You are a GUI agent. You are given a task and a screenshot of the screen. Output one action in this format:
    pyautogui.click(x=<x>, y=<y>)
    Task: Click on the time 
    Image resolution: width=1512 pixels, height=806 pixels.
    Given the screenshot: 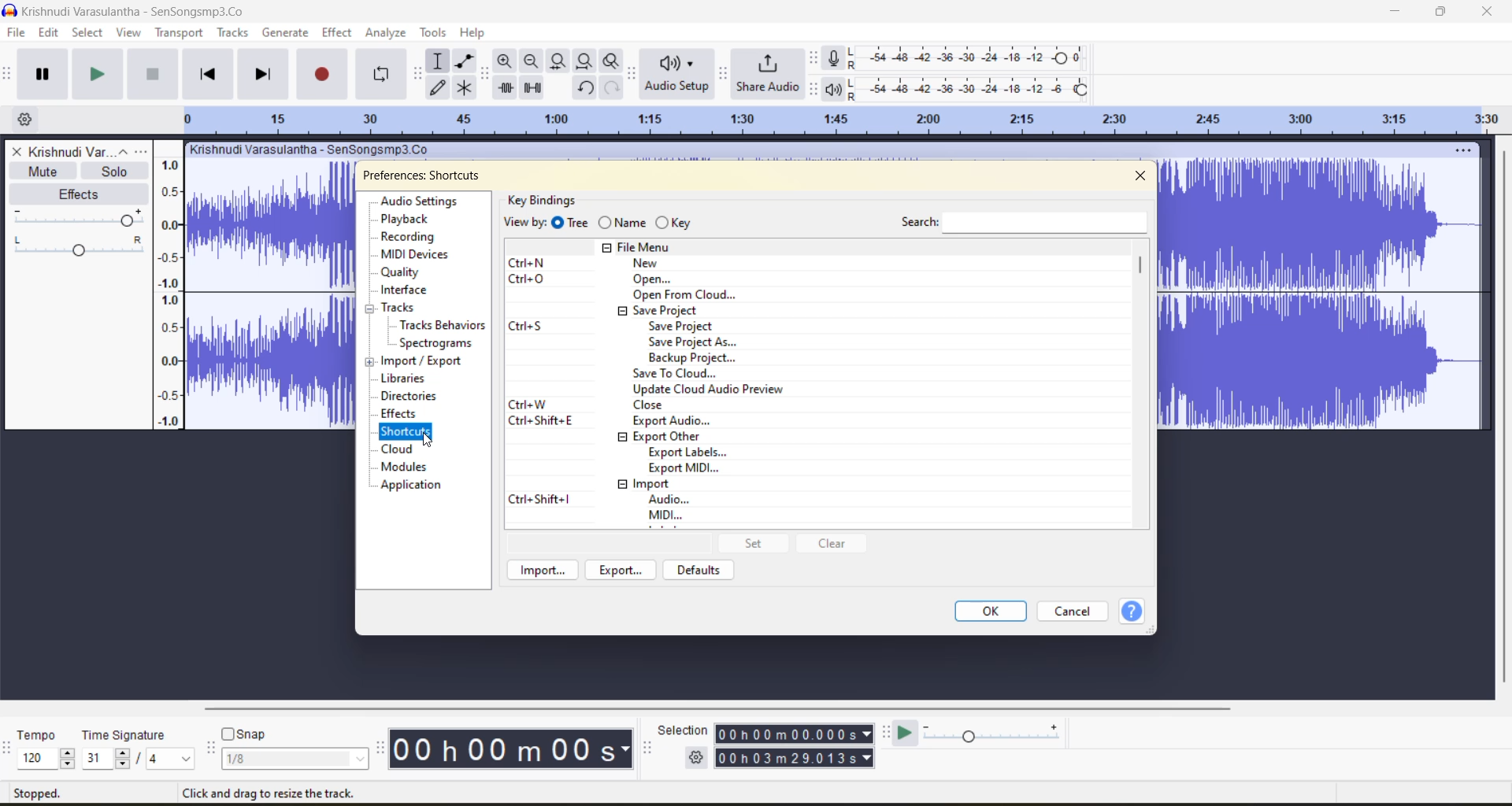 What is the action you would take?
    pyautogui.click(x=515, y=749)
    